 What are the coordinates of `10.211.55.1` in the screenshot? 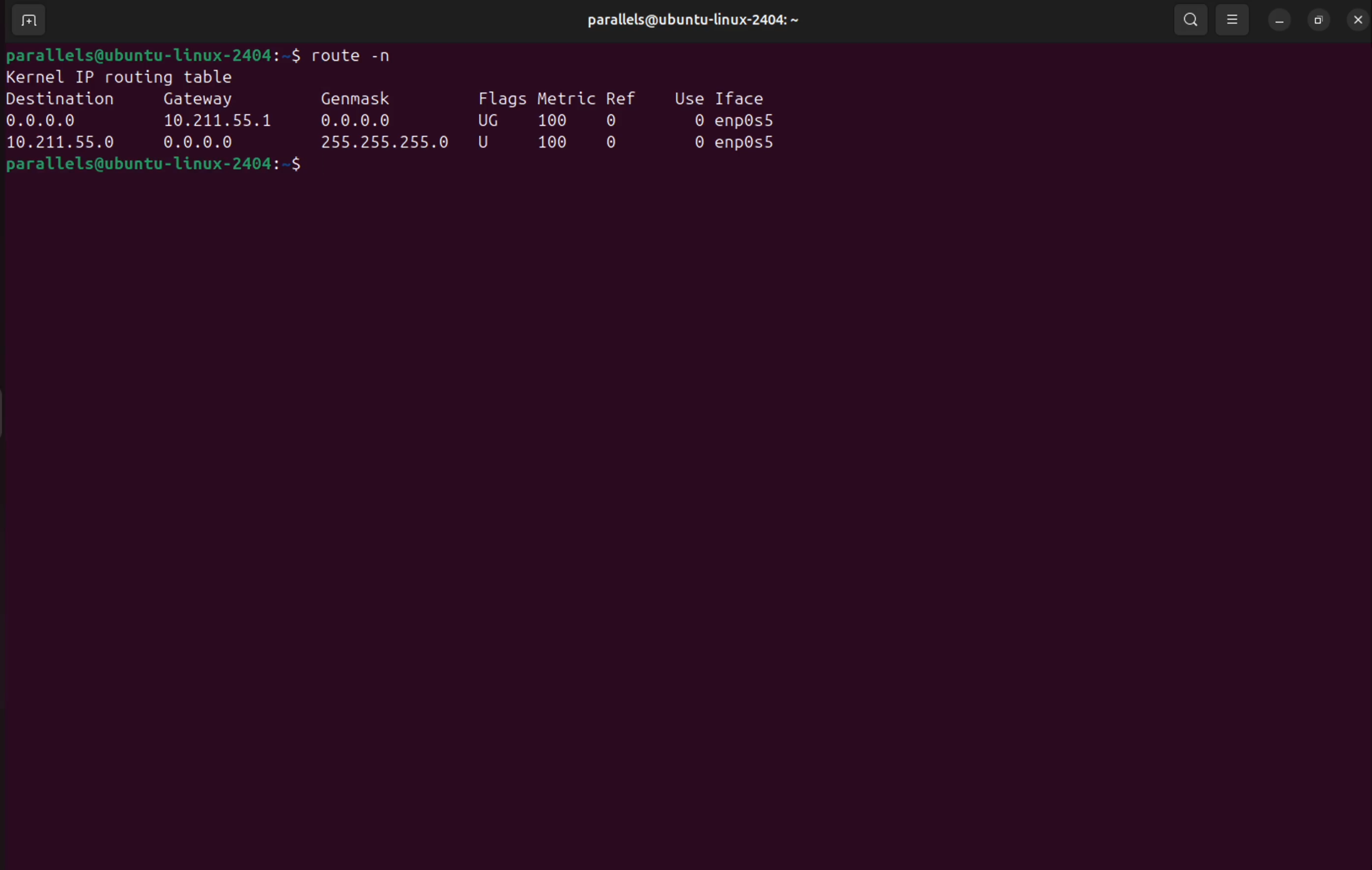 It's located at (222, 121).